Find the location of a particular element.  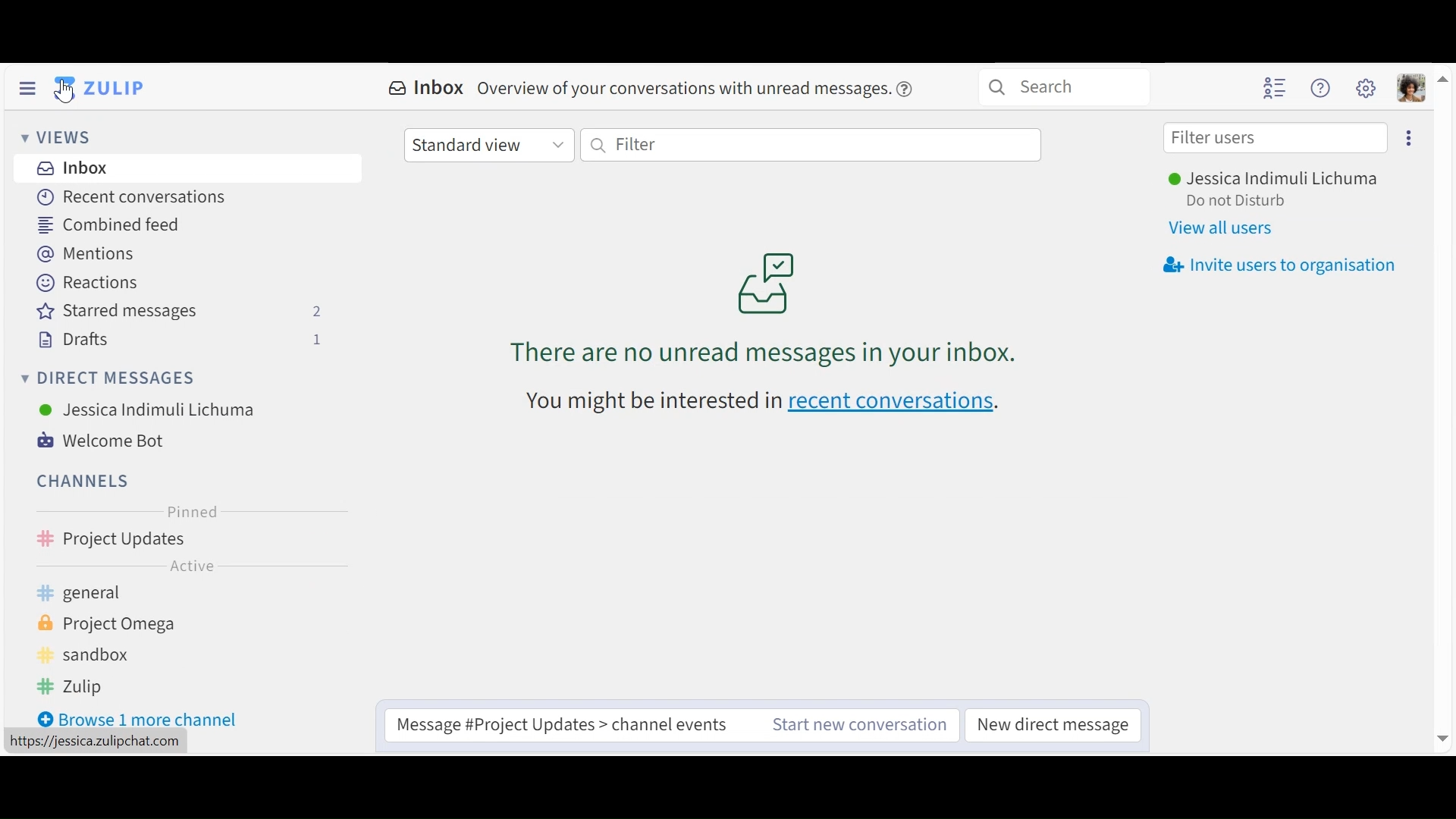

Channels is located at coordinates (88, 480).